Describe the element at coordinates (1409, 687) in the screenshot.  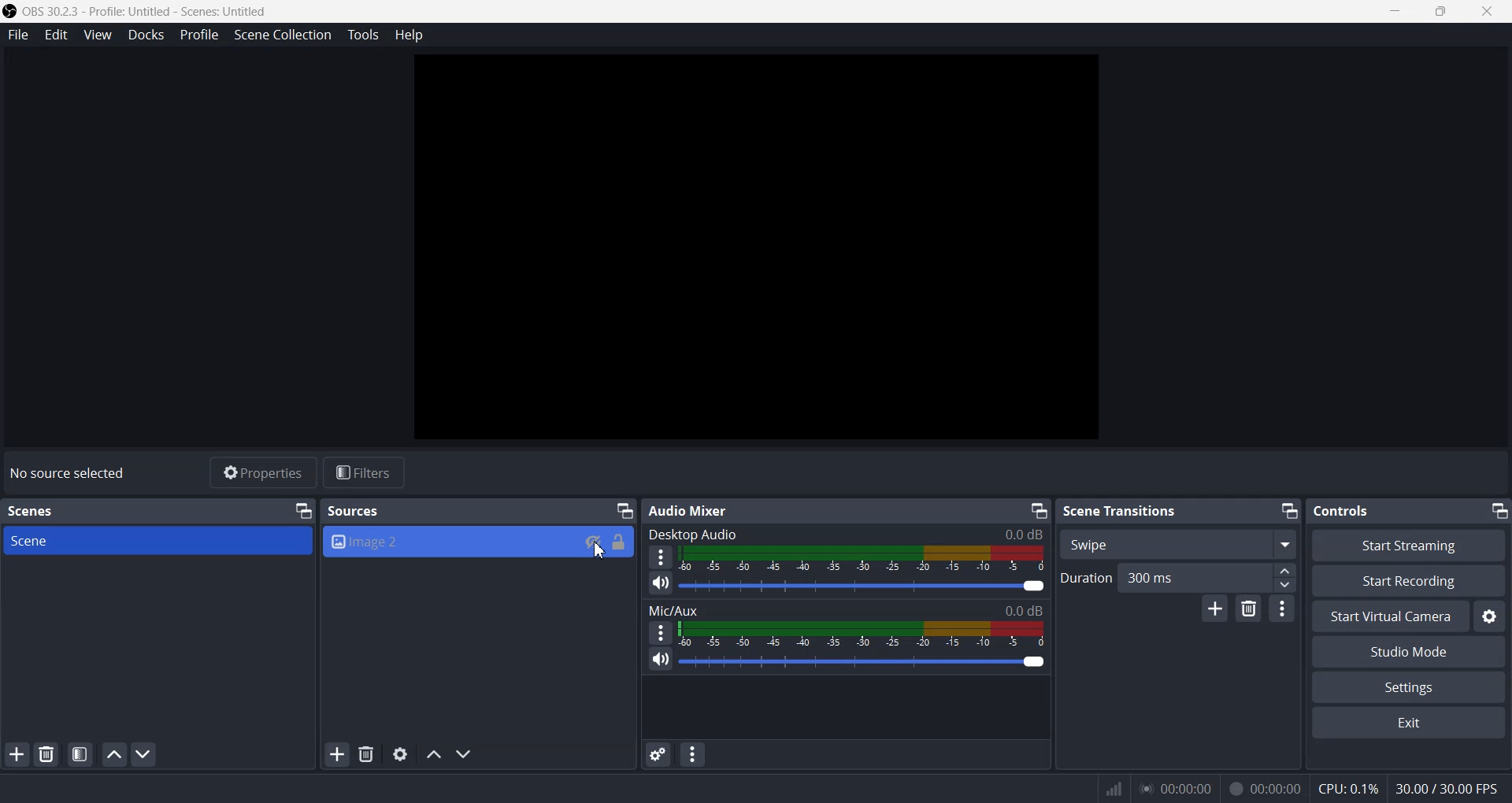
I see `Settings` at that location.